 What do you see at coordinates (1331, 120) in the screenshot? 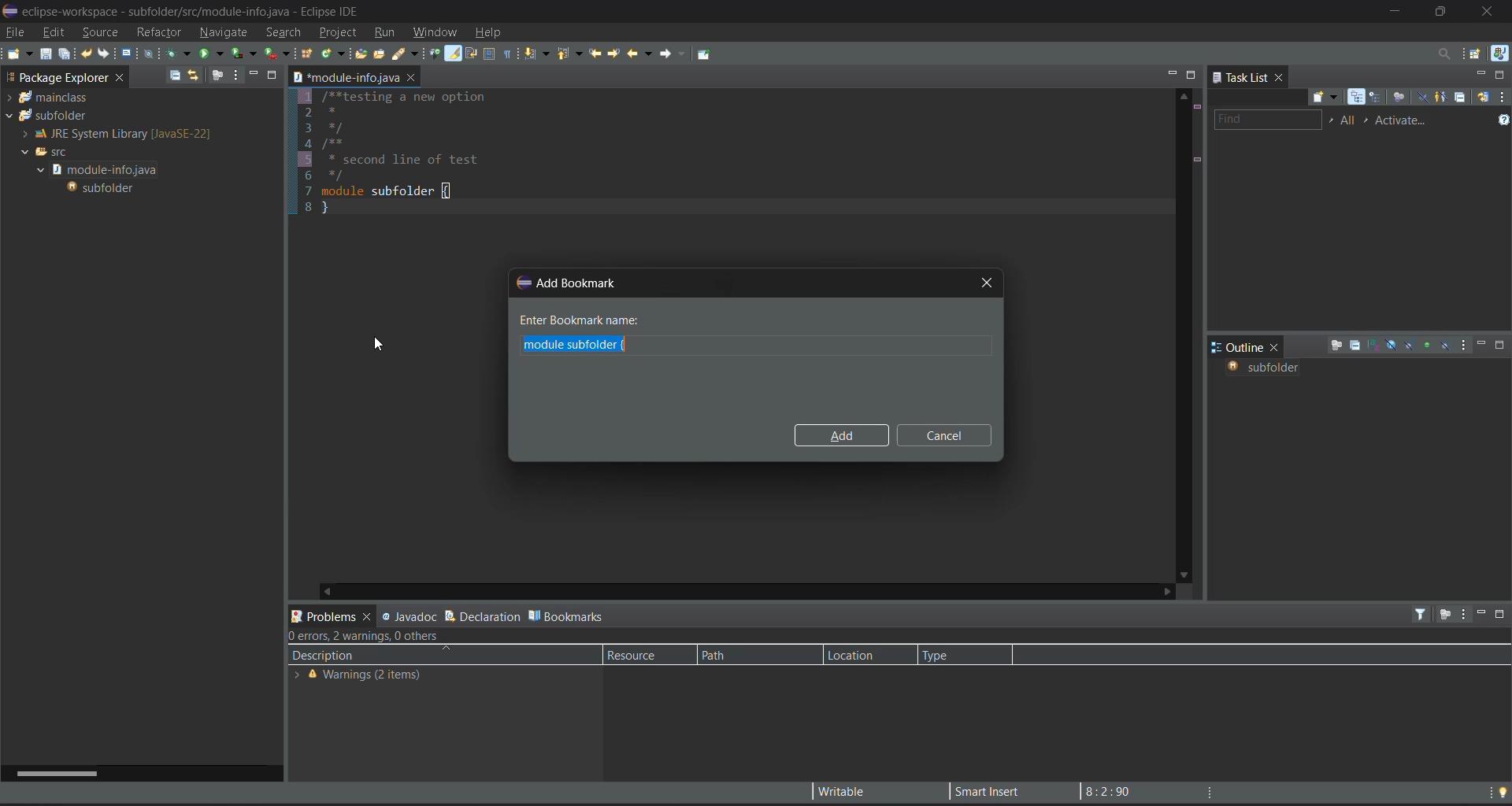
I see `select working set` at bounding box center [1331, 120].